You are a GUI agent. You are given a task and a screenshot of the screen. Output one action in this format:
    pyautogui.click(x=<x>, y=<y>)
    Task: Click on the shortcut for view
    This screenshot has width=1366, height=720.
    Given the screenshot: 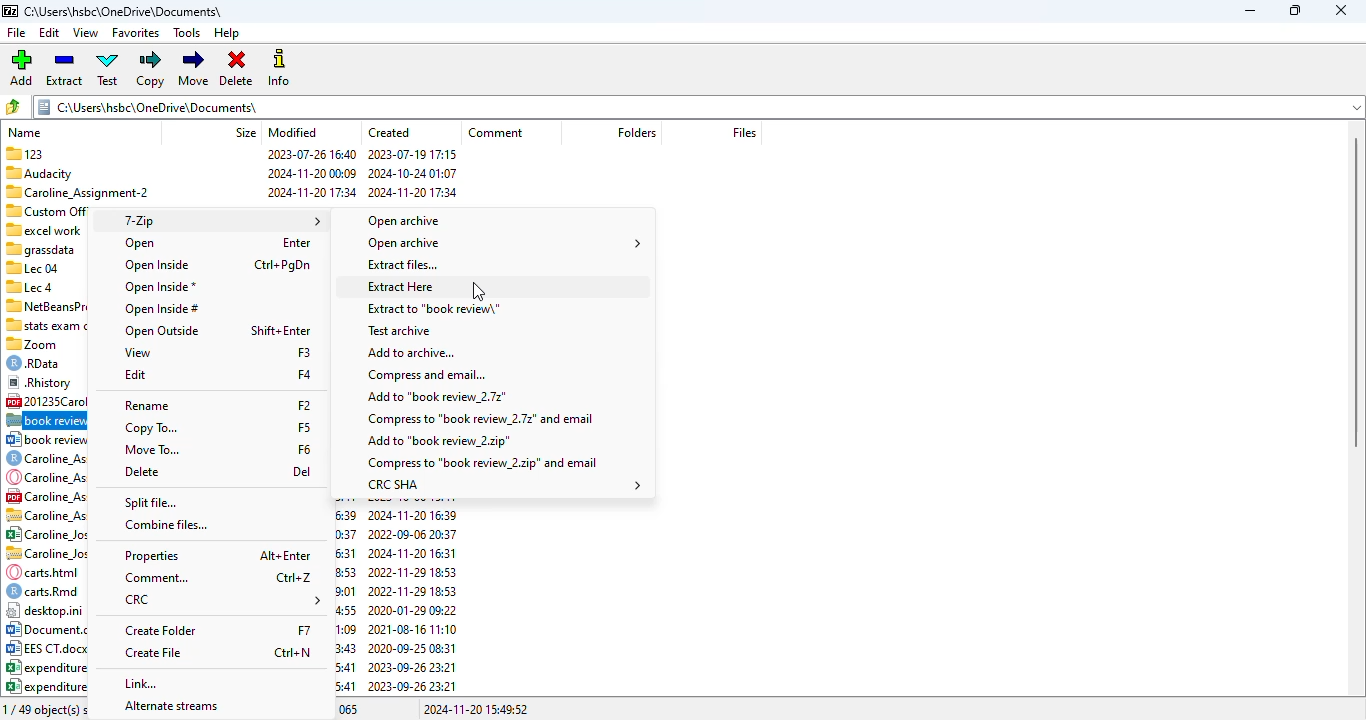 What is the action you would take?
    pyautogui.click(x=305, y=352)
    